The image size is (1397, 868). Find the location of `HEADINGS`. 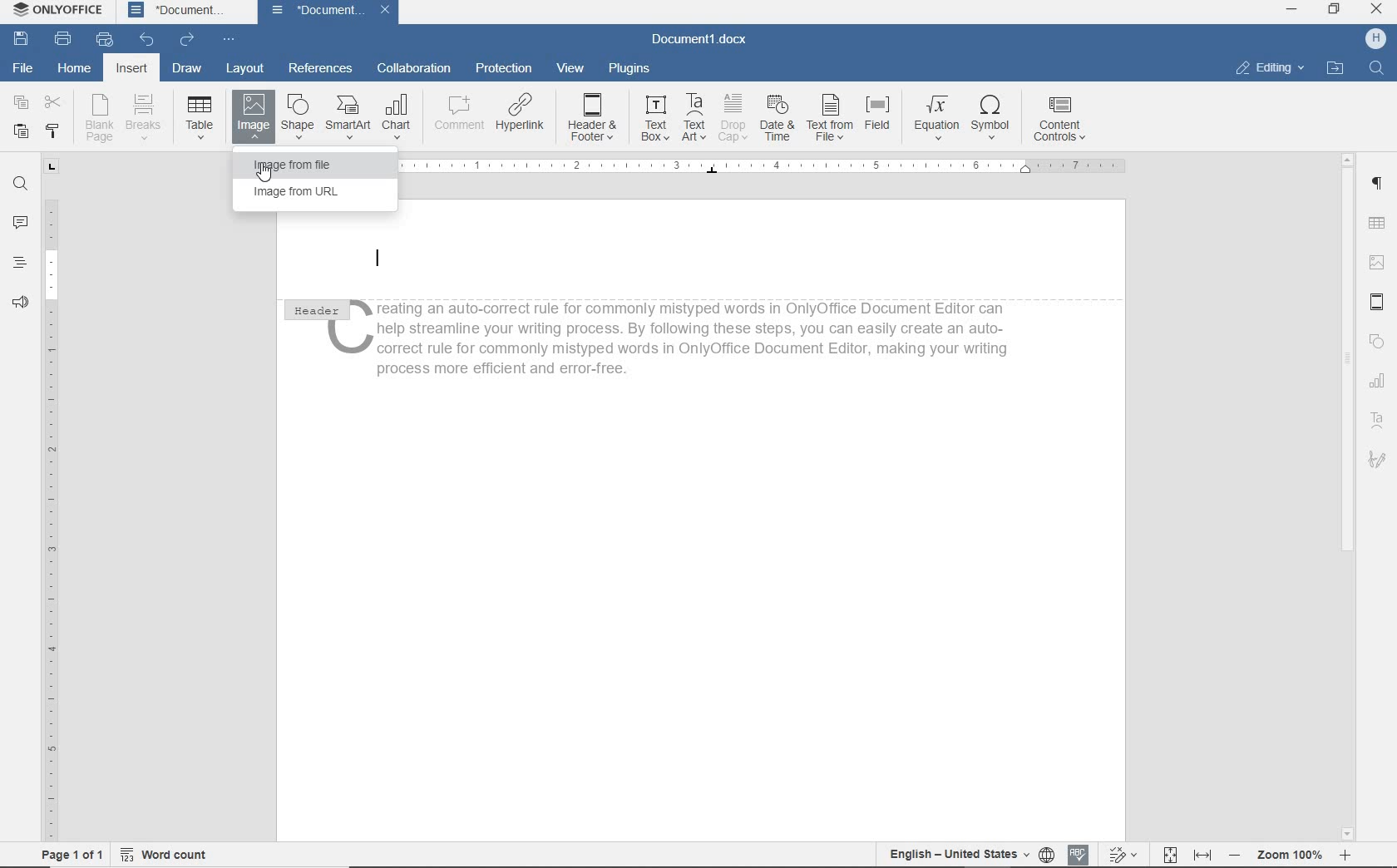

HEADINGS is located at coordinates (20, 263).